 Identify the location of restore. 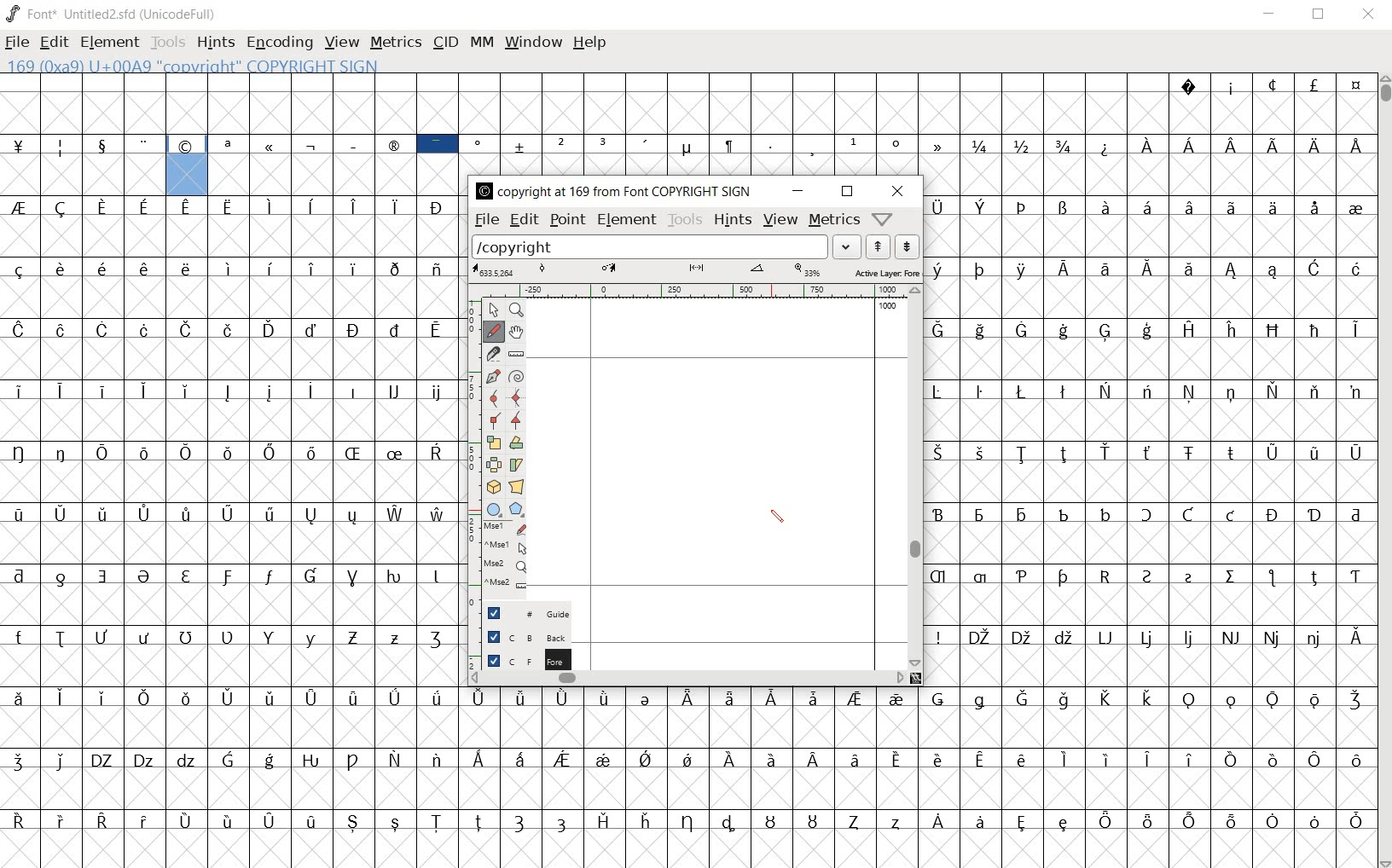
(848, 192).